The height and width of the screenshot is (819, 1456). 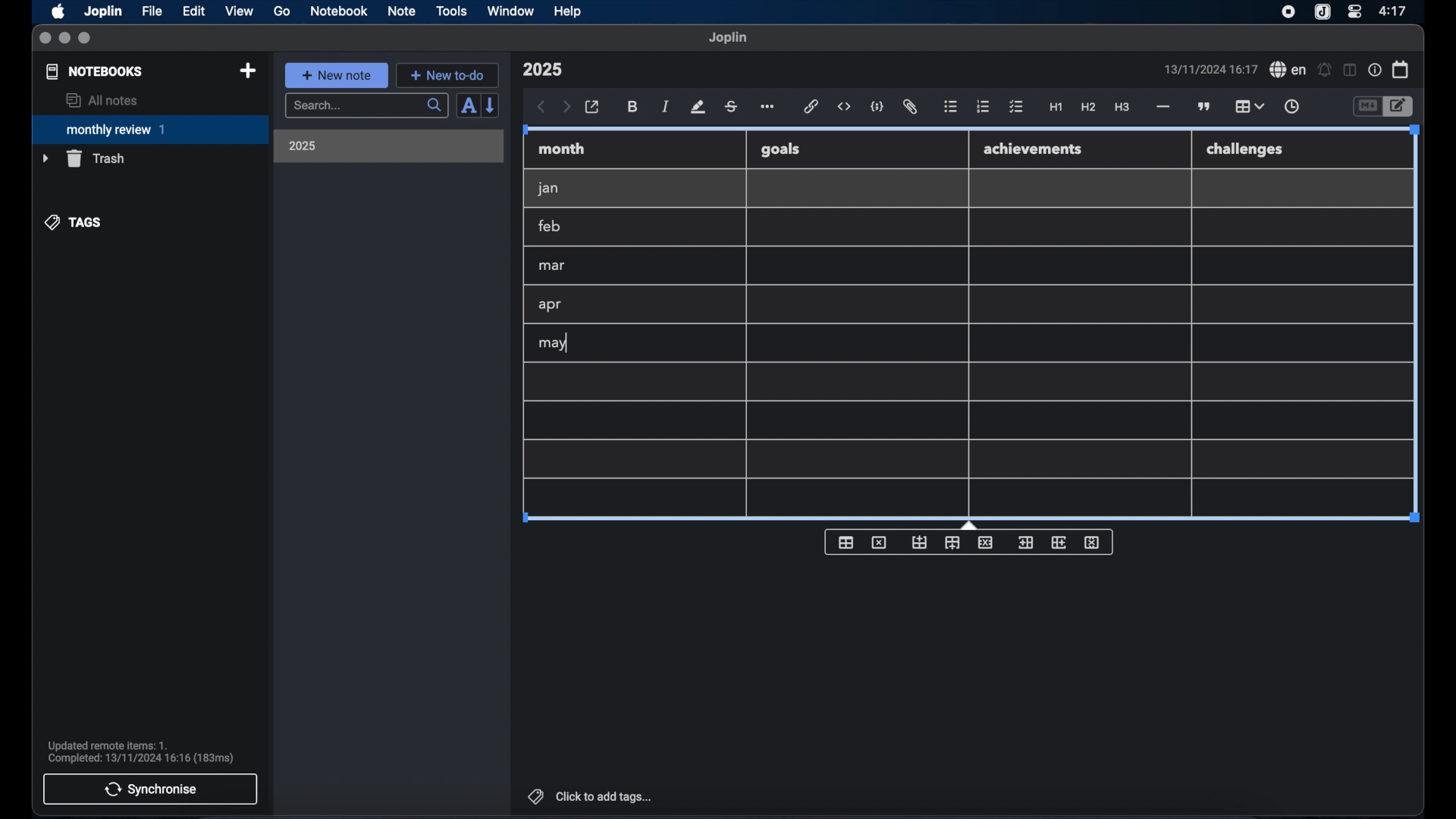 I want to click on all notes, so click(x=102, y=100).